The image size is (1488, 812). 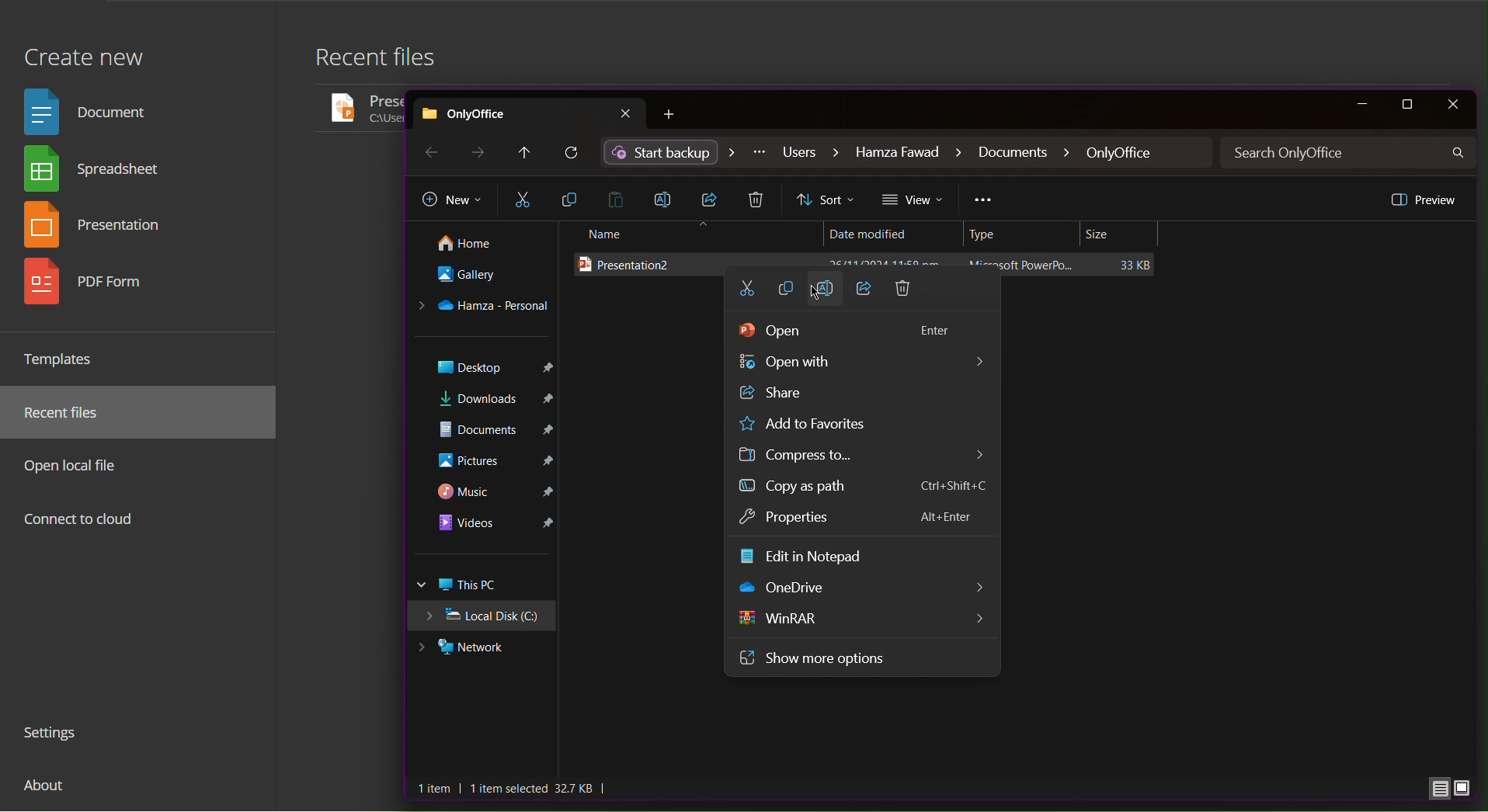 I want to click on Close, so click(x=1452, y=105).